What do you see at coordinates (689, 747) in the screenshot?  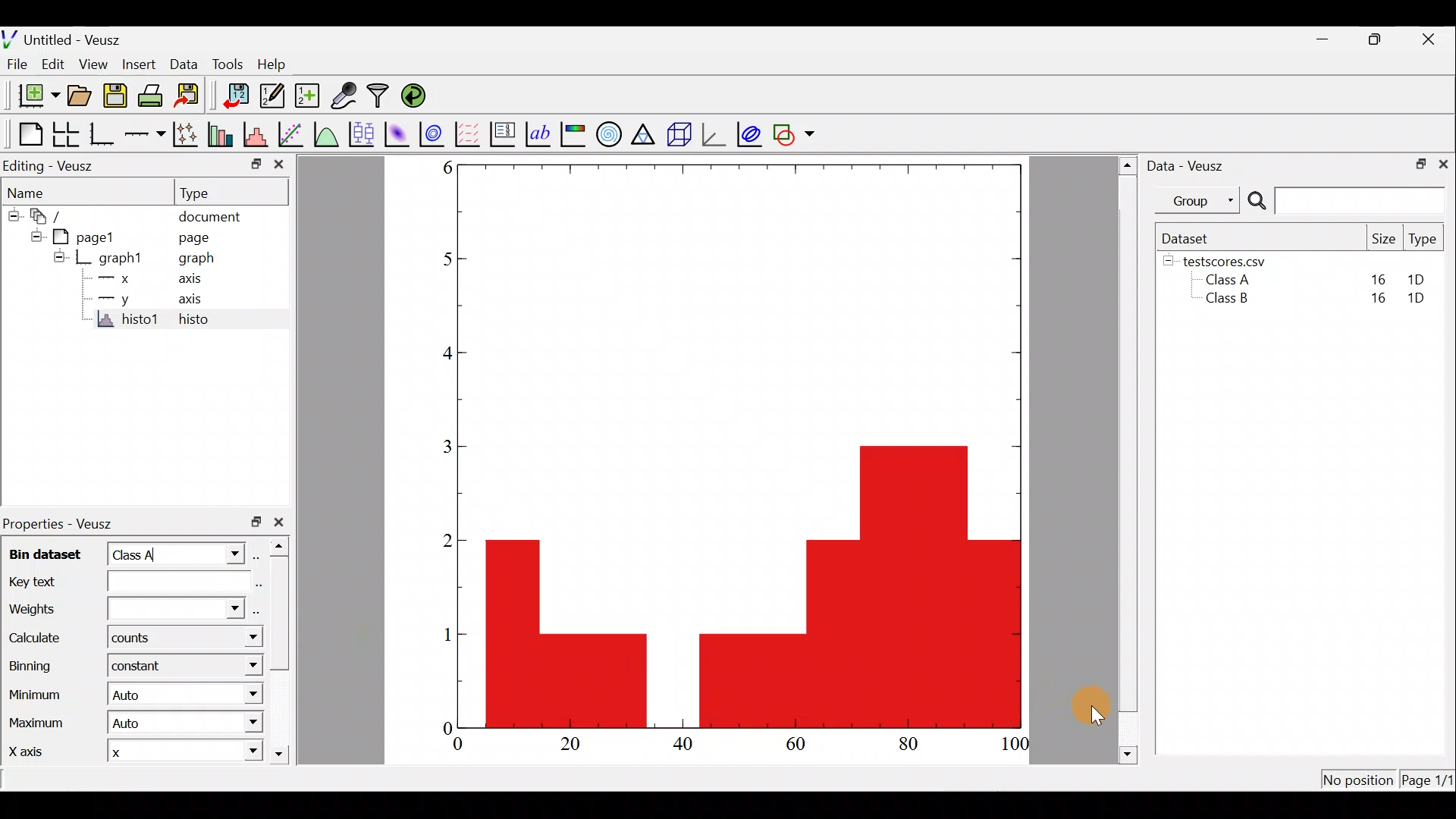 I see `40` at bounding box center [689, 747].